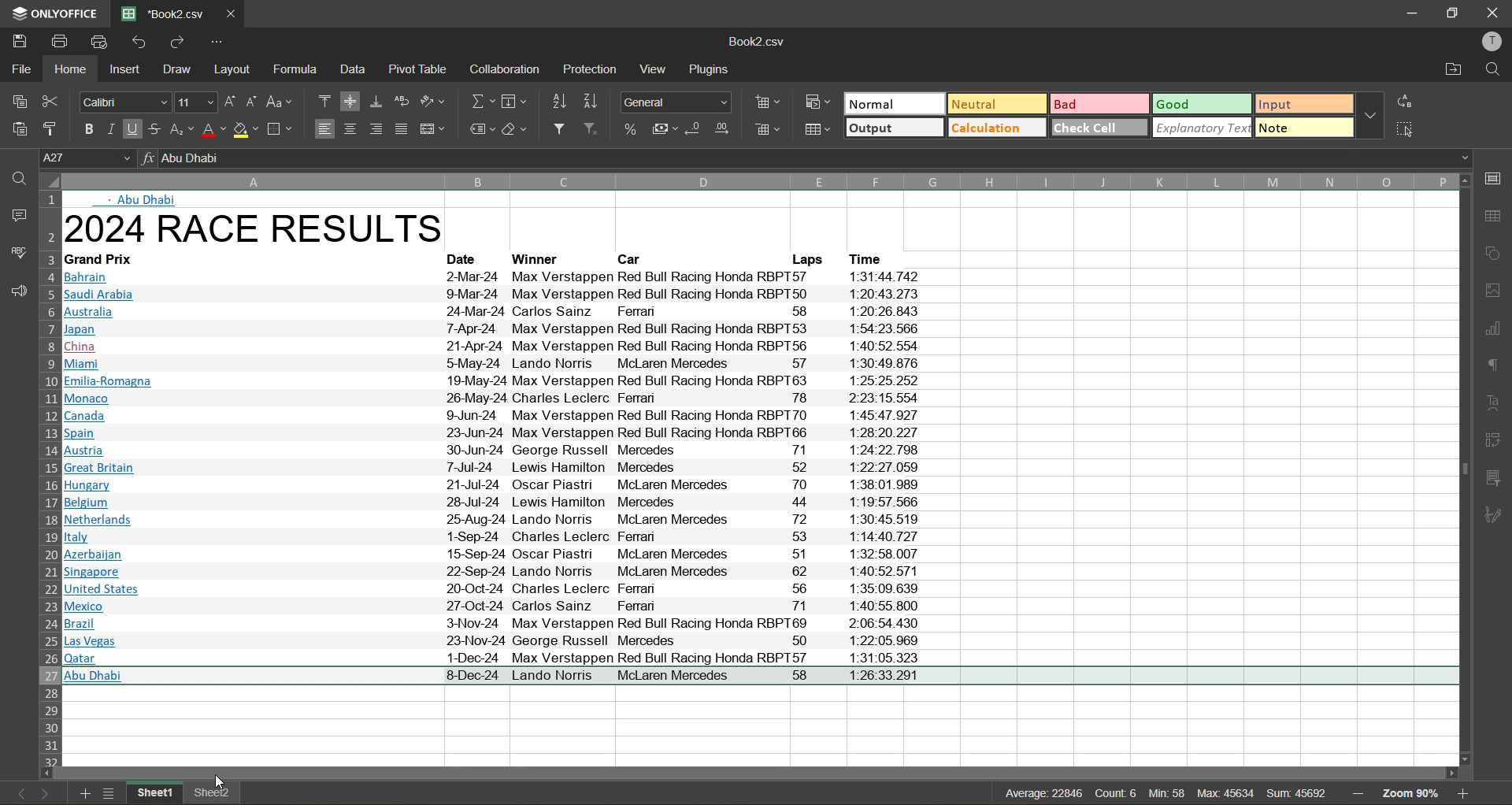 This screenshot has width=1512, height=805. I want to click on text info, so click(493, 278).